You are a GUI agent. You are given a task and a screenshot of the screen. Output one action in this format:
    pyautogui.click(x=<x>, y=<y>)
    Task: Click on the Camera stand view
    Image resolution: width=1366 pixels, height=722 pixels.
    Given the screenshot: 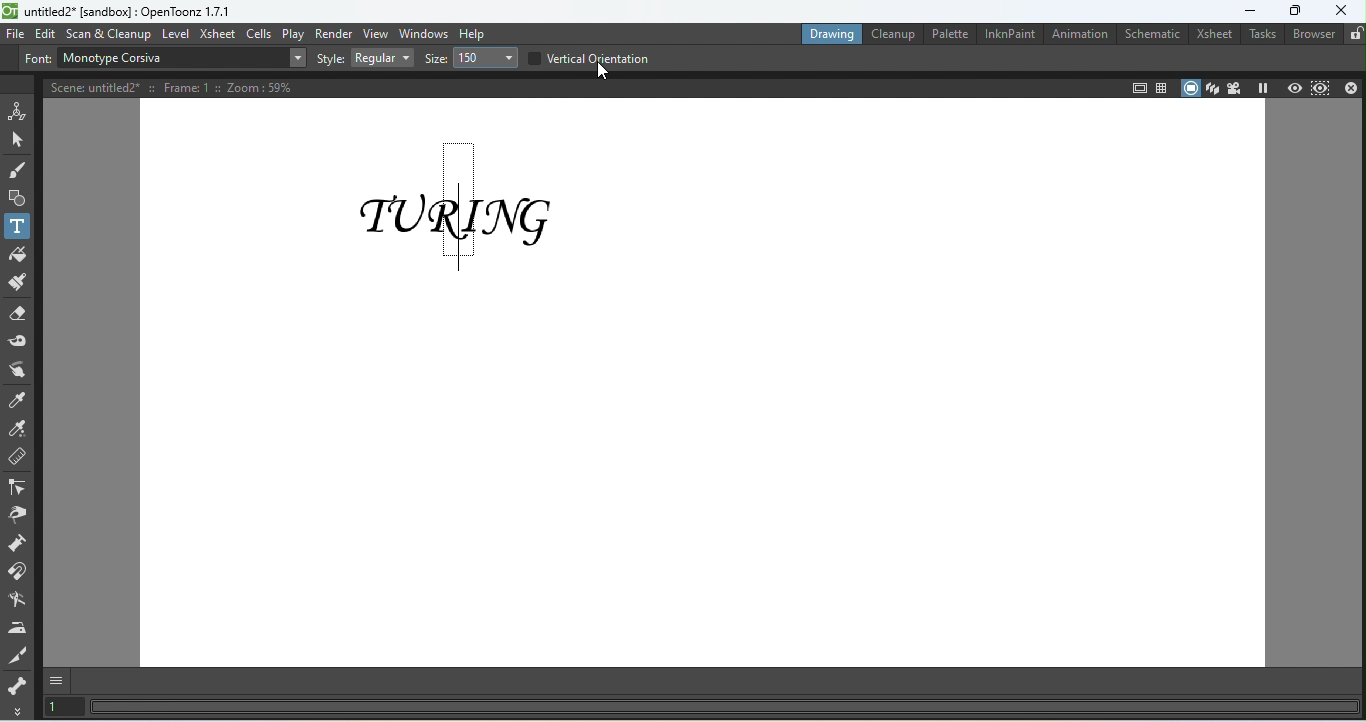 What is the action you would take?
    pyautogui.click(x=1189, y=87)
    